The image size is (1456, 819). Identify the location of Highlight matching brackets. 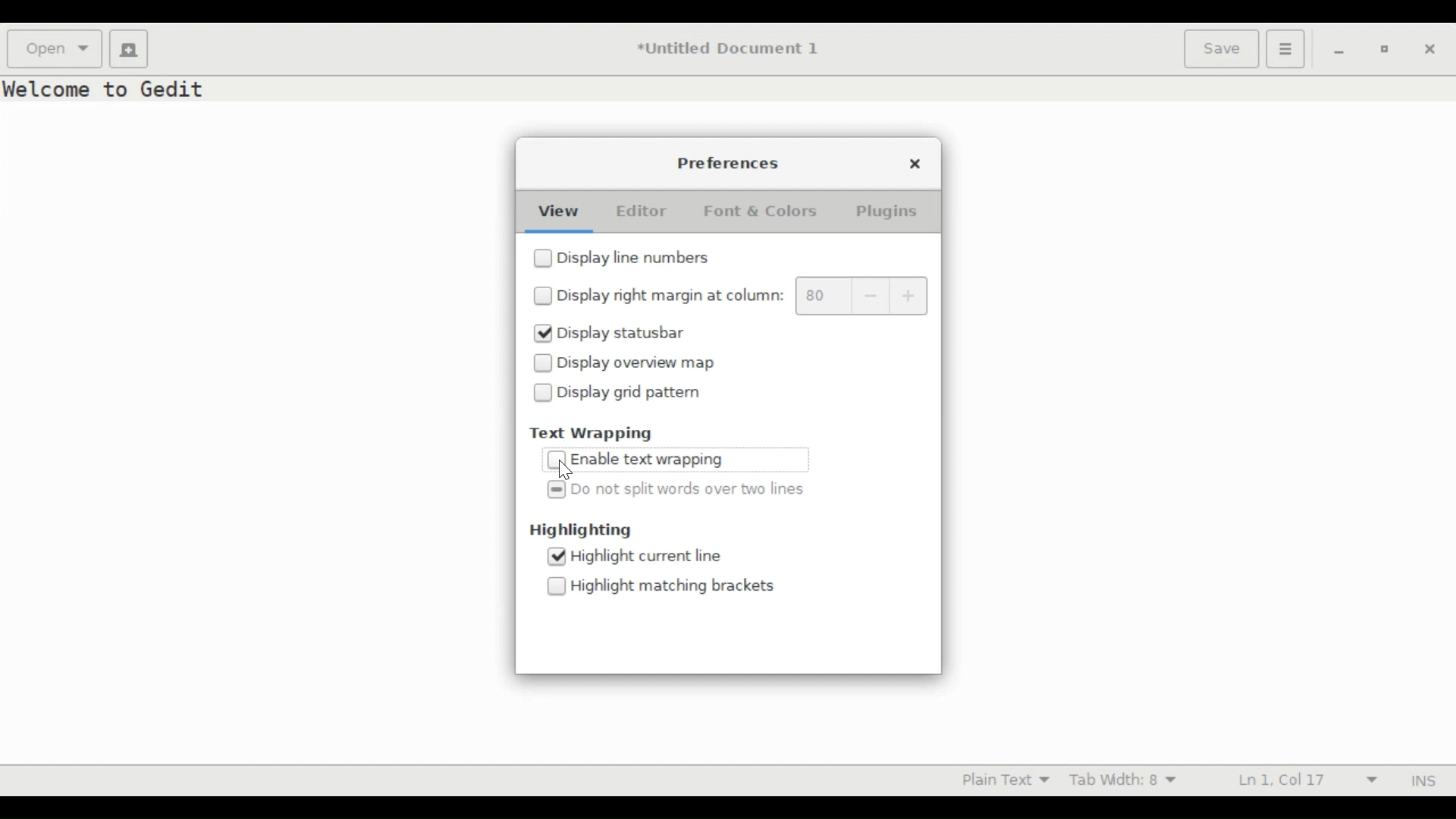
(673, 587).